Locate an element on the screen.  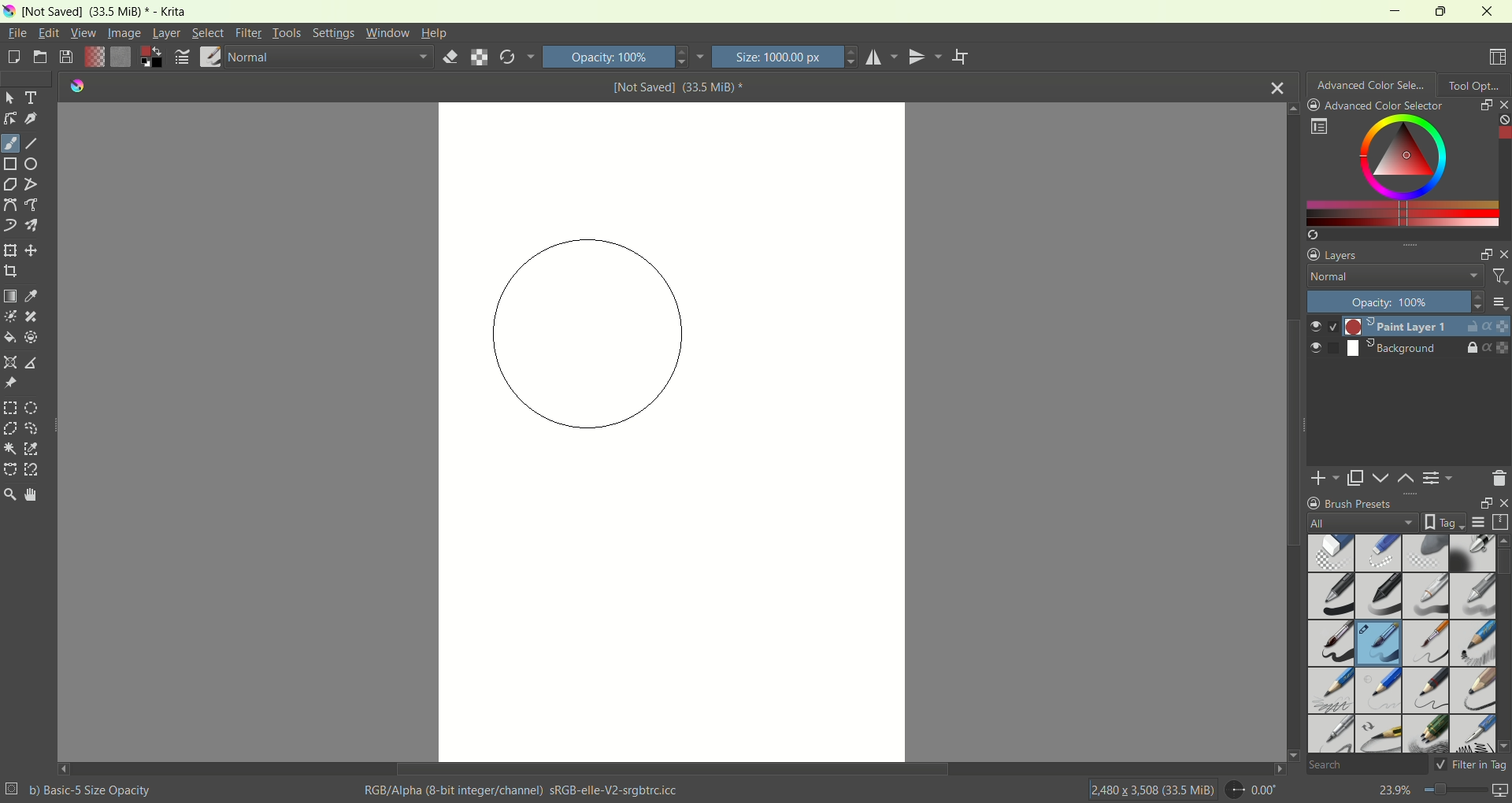
minimize is located at coordinates (1388, 10).